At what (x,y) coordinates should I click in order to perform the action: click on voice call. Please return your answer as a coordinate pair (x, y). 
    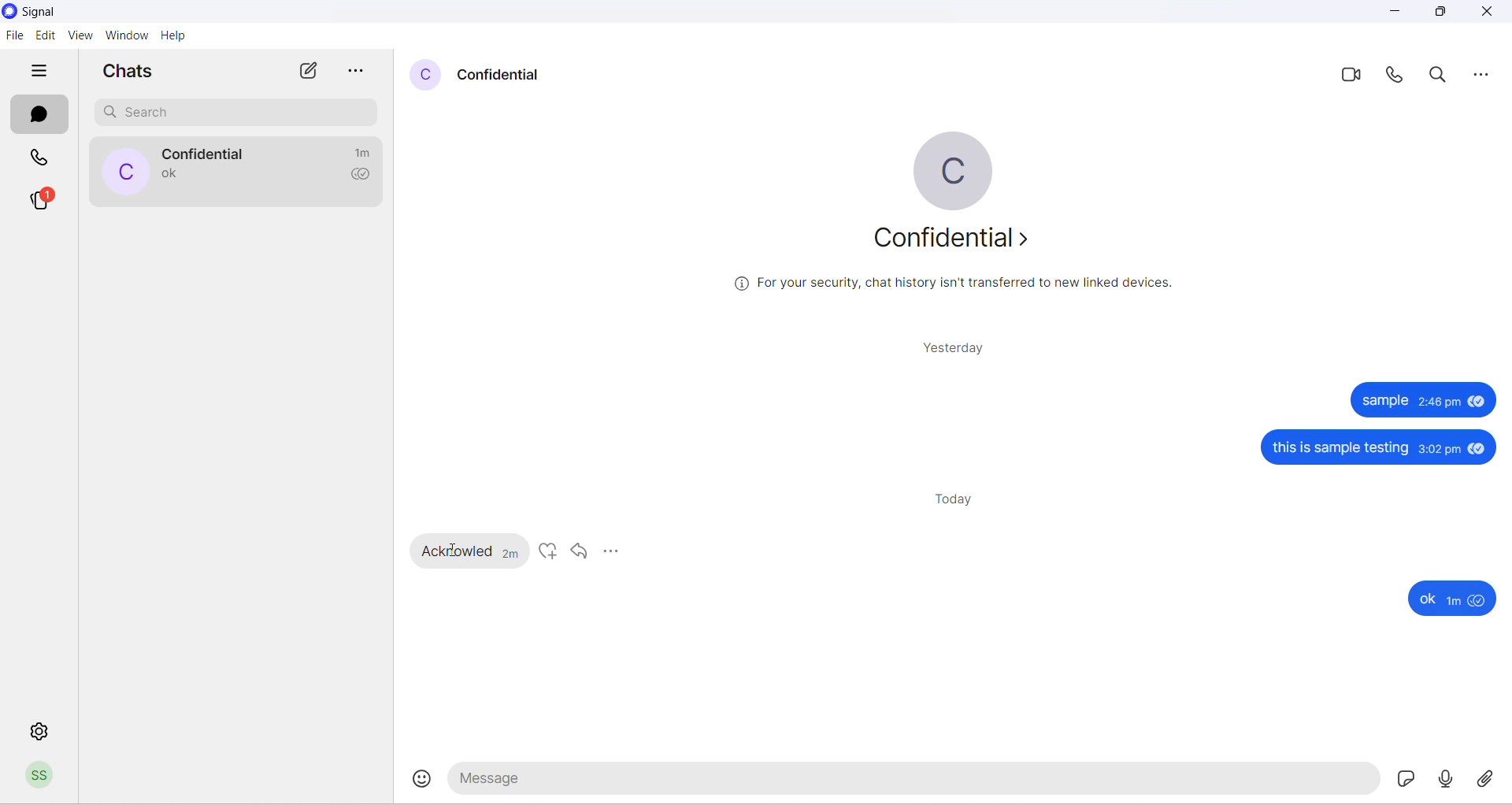
    Looking at the image, I should click on (1400, 80).